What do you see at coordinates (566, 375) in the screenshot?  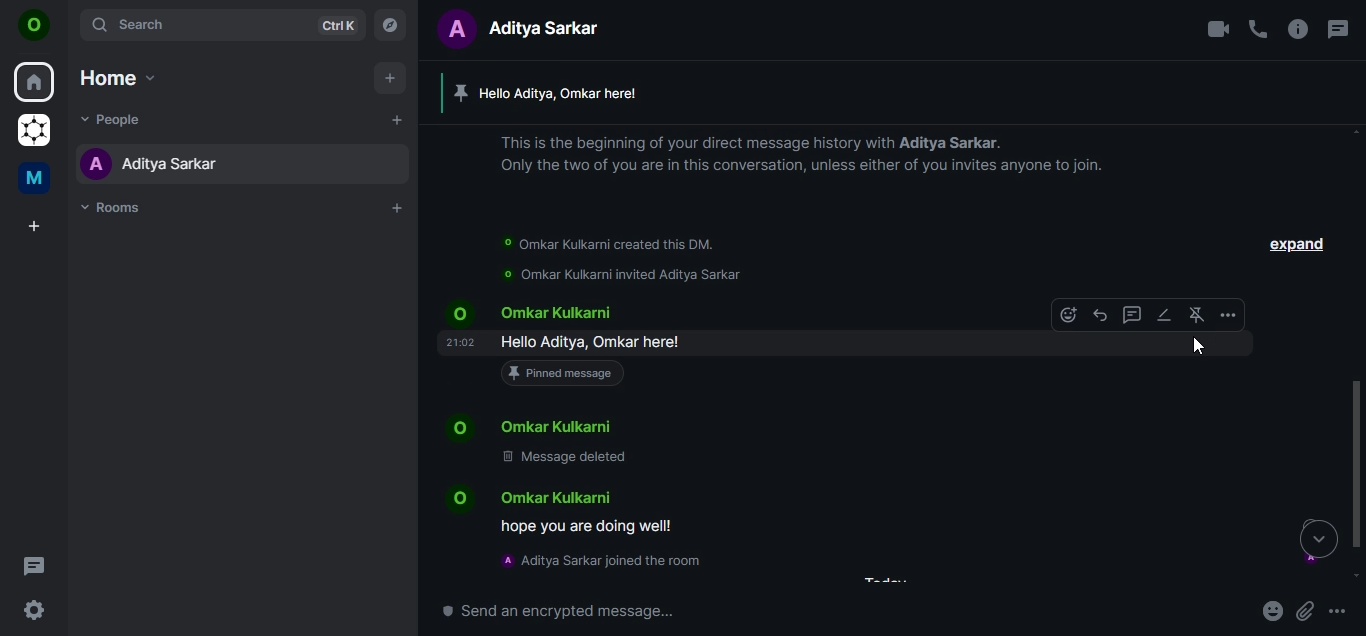 I see `pinned message` at bounding box center [566, 375].